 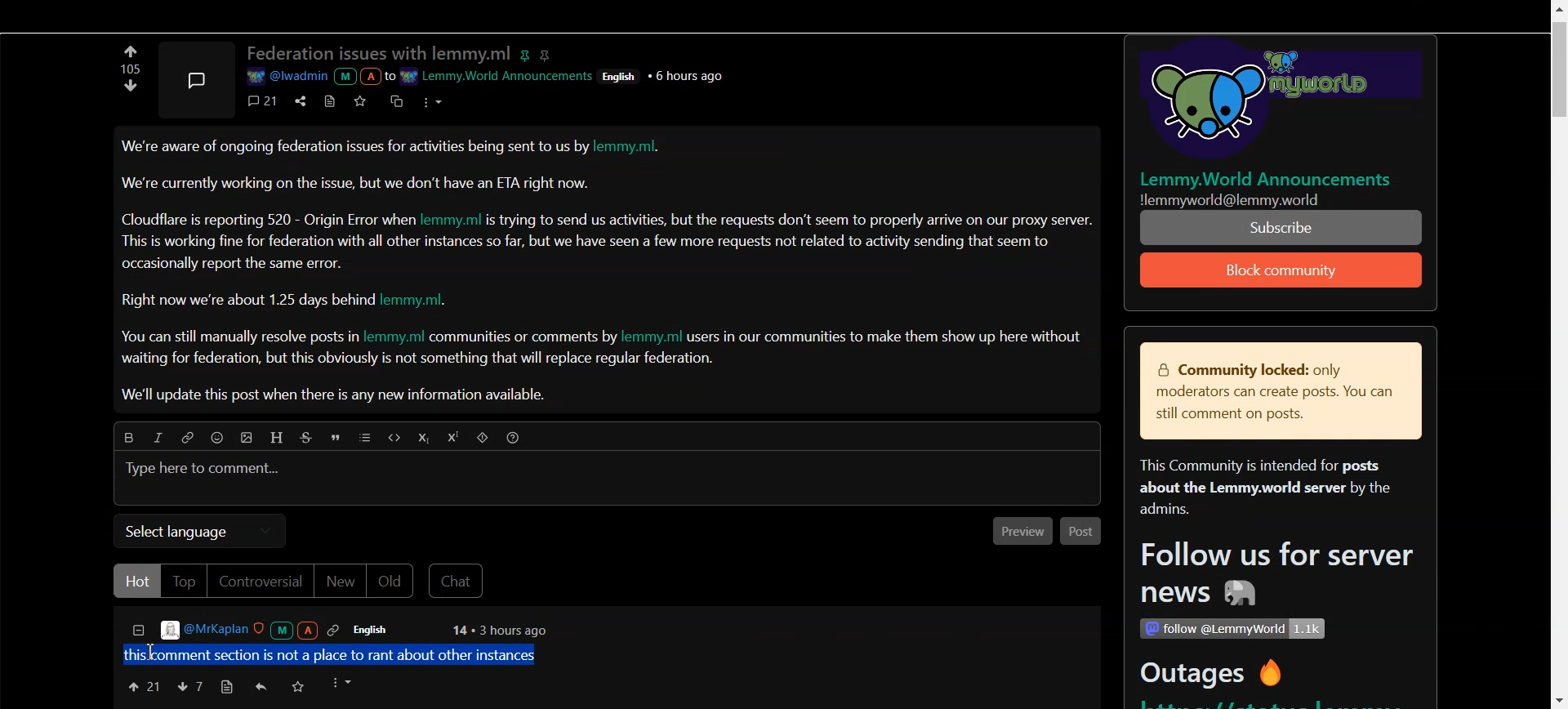 I want to click on This is working fine for federation with all other instances so far, but we have seen a few more requests not related to activity sending that seem to
occasionally report the same error., so click(x=587, y=252).